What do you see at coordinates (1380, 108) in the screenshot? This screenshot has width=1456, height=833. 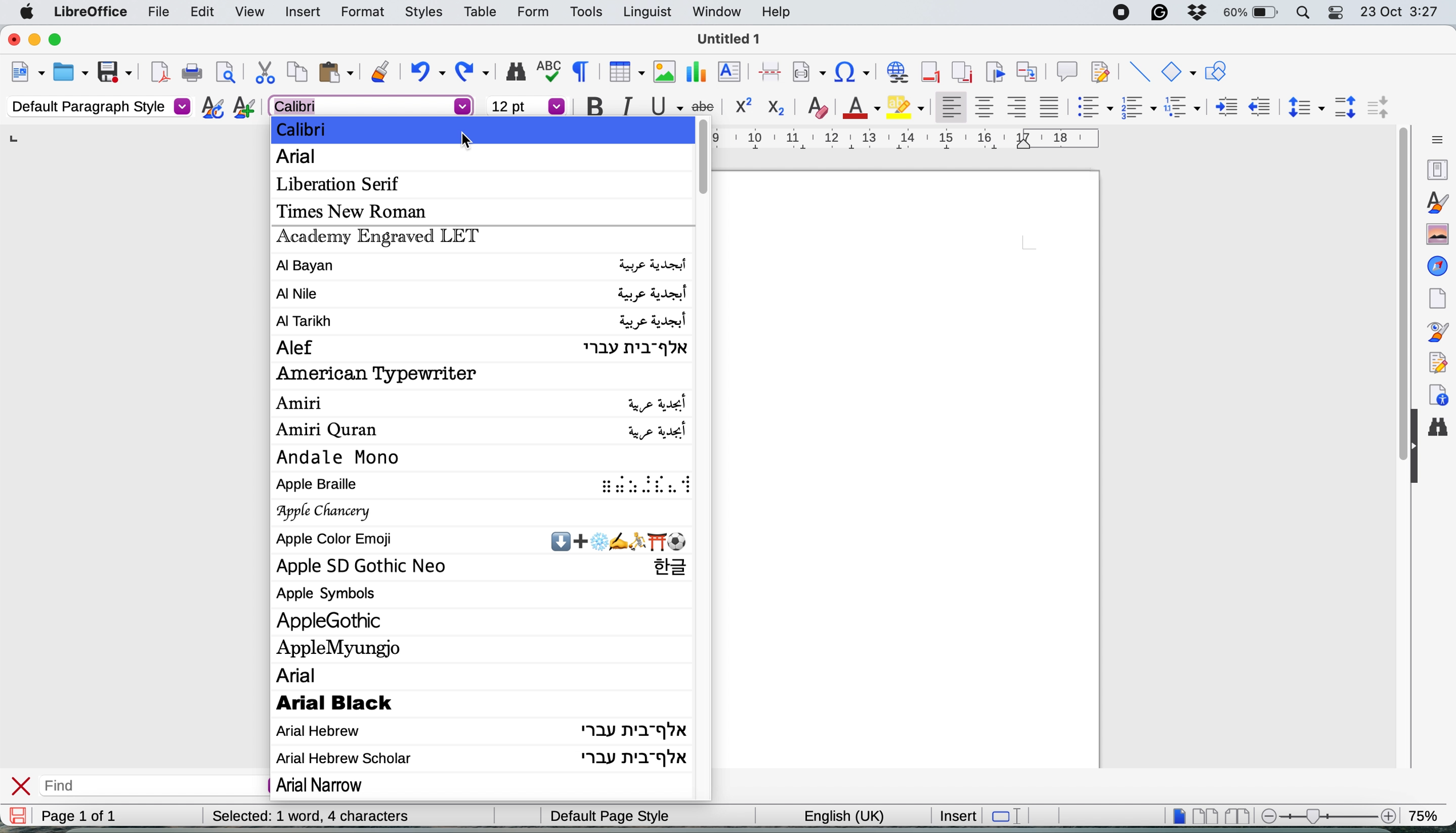 I see `decrease paragraph spacing` at bounding box center [1380, 108].